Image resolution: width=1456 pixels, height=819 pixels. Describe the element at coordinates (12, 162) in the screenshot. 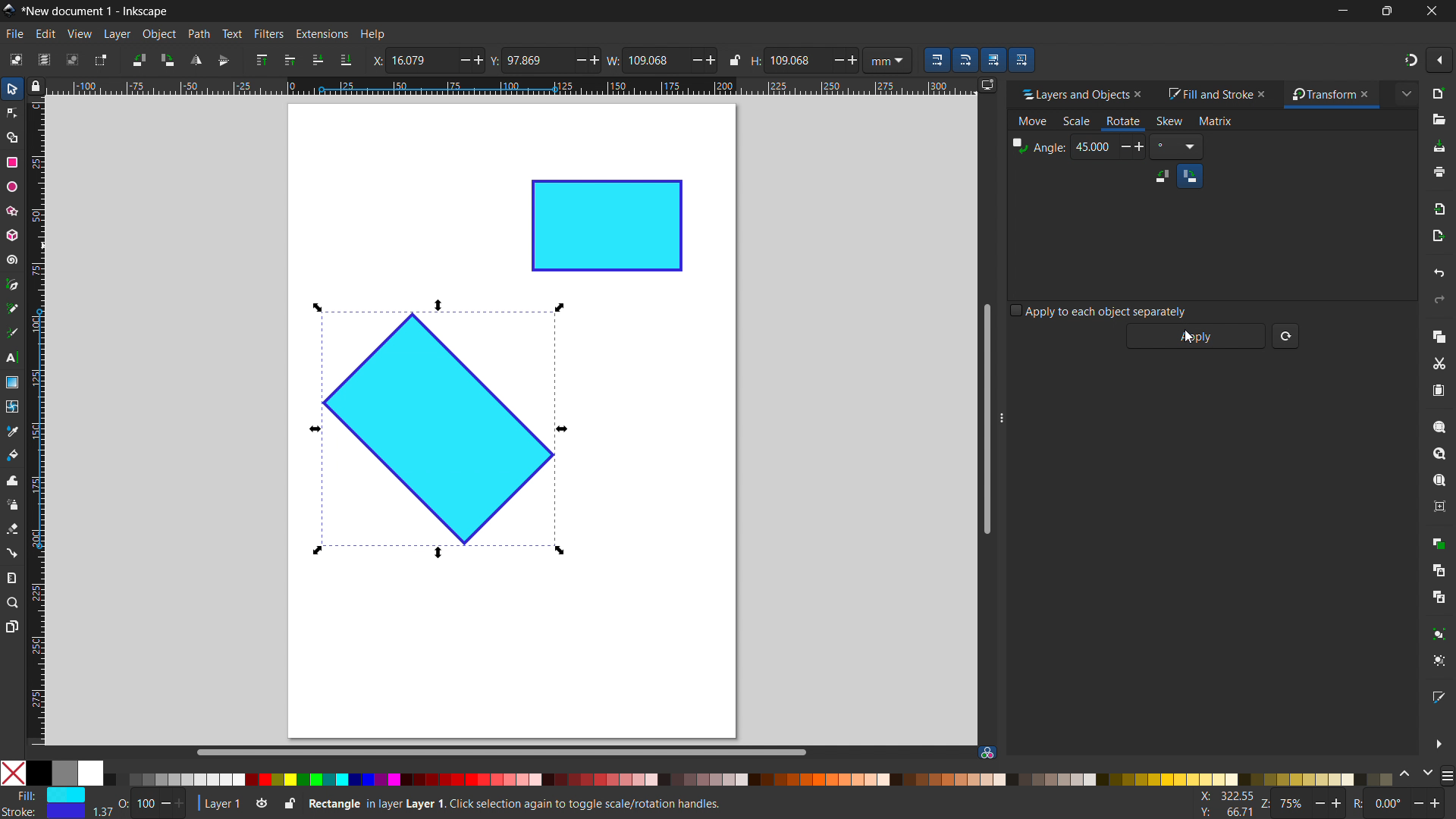

I see `rectangle tool` at that location.